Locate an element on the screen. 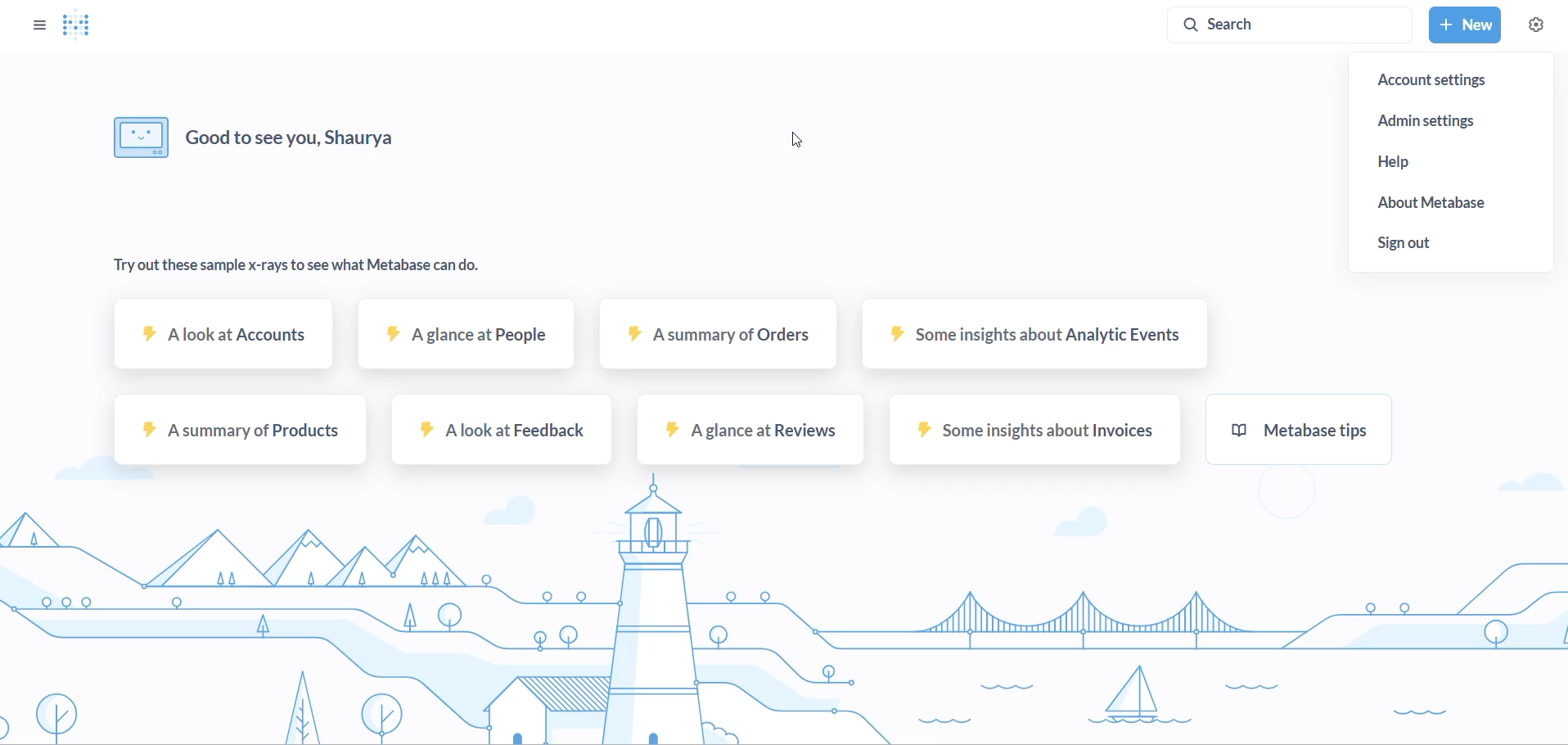 The image size is (1568, 745). Open sidebar is located at coordinates (32, 24).